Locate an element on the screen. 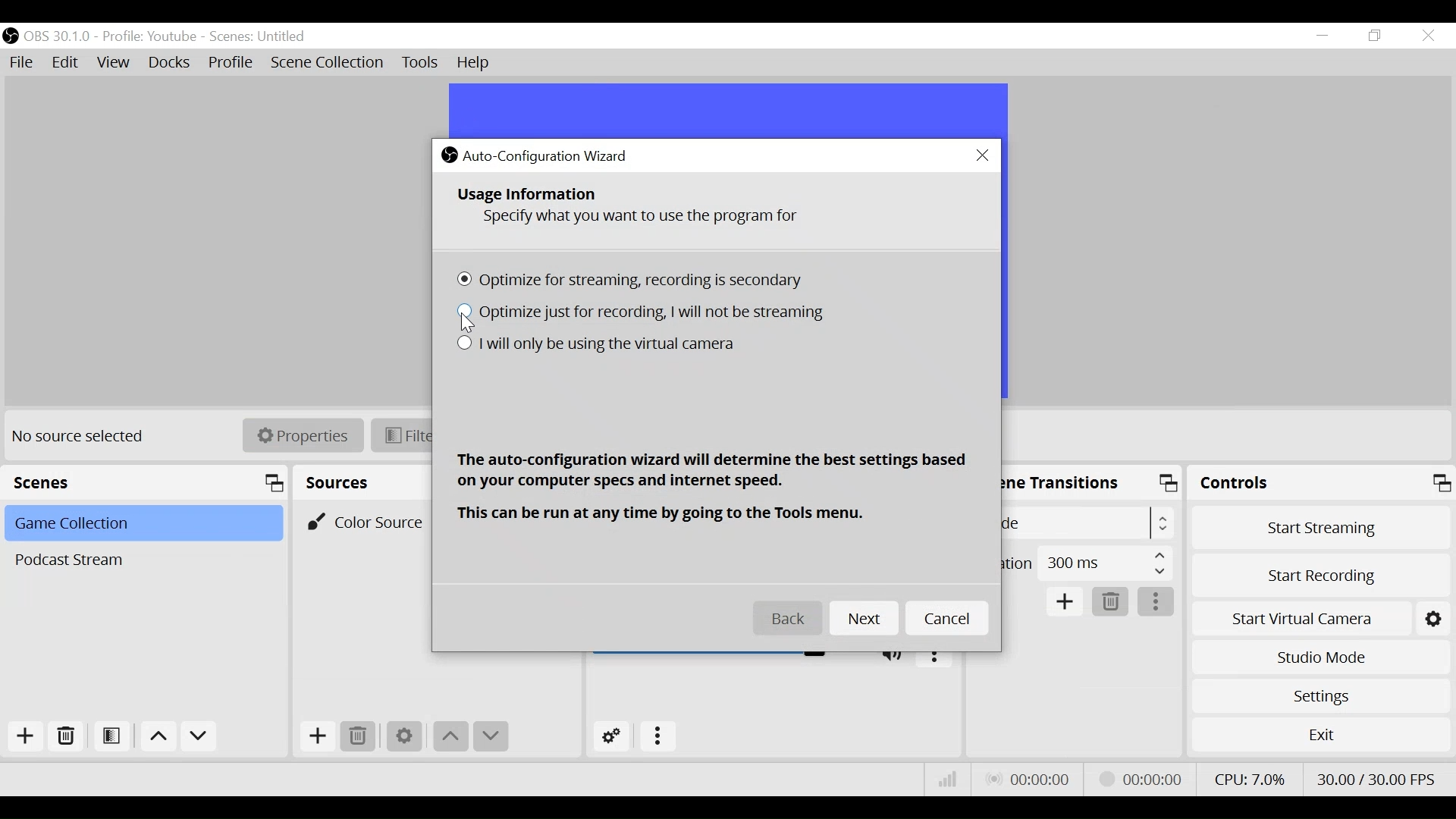 The width and height of the screenshot is (1456, 819). minimize is located at coordinates (1321, 35).